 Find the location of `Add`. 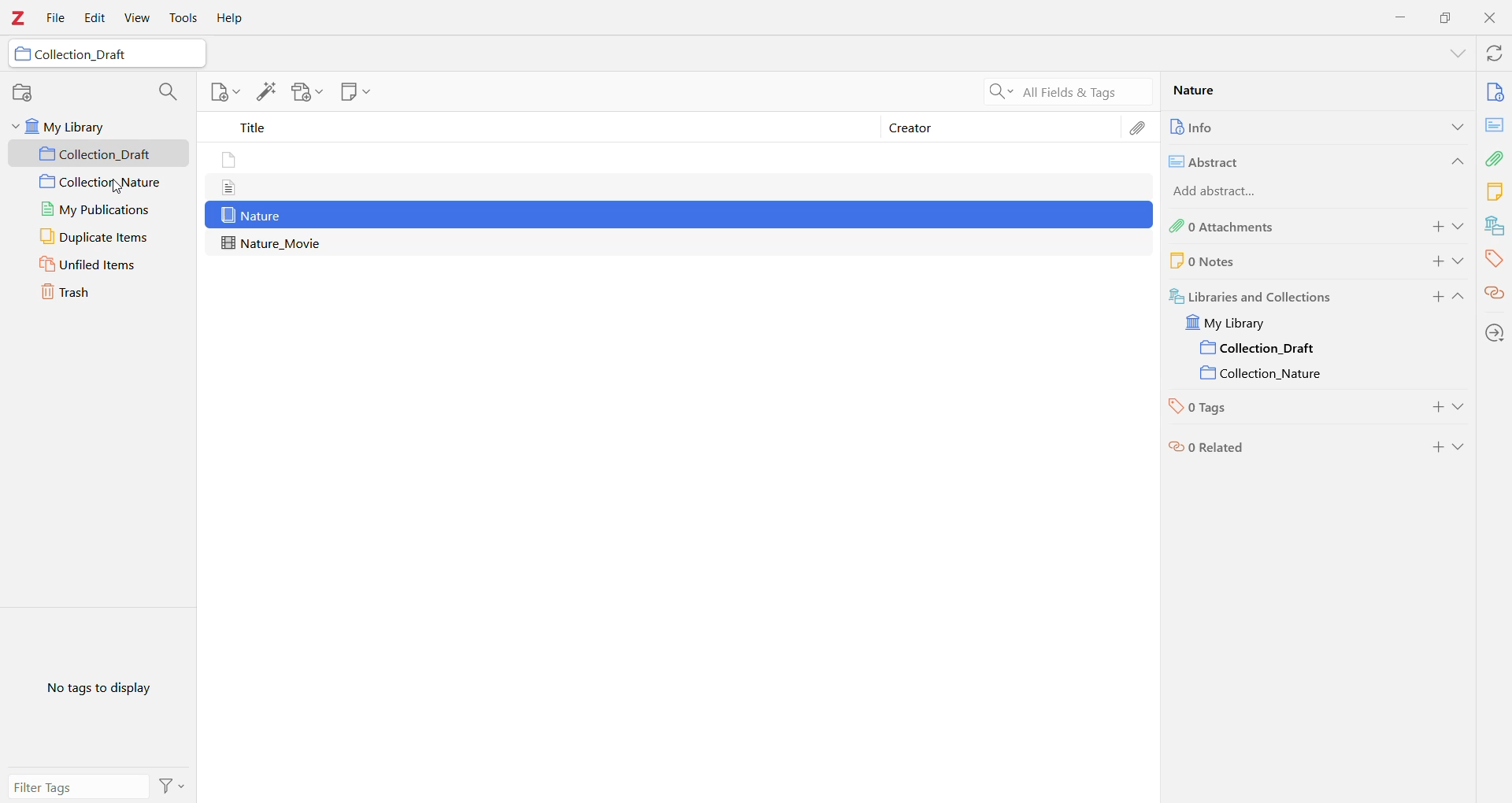

Add is located at coordinates (1433, 442).